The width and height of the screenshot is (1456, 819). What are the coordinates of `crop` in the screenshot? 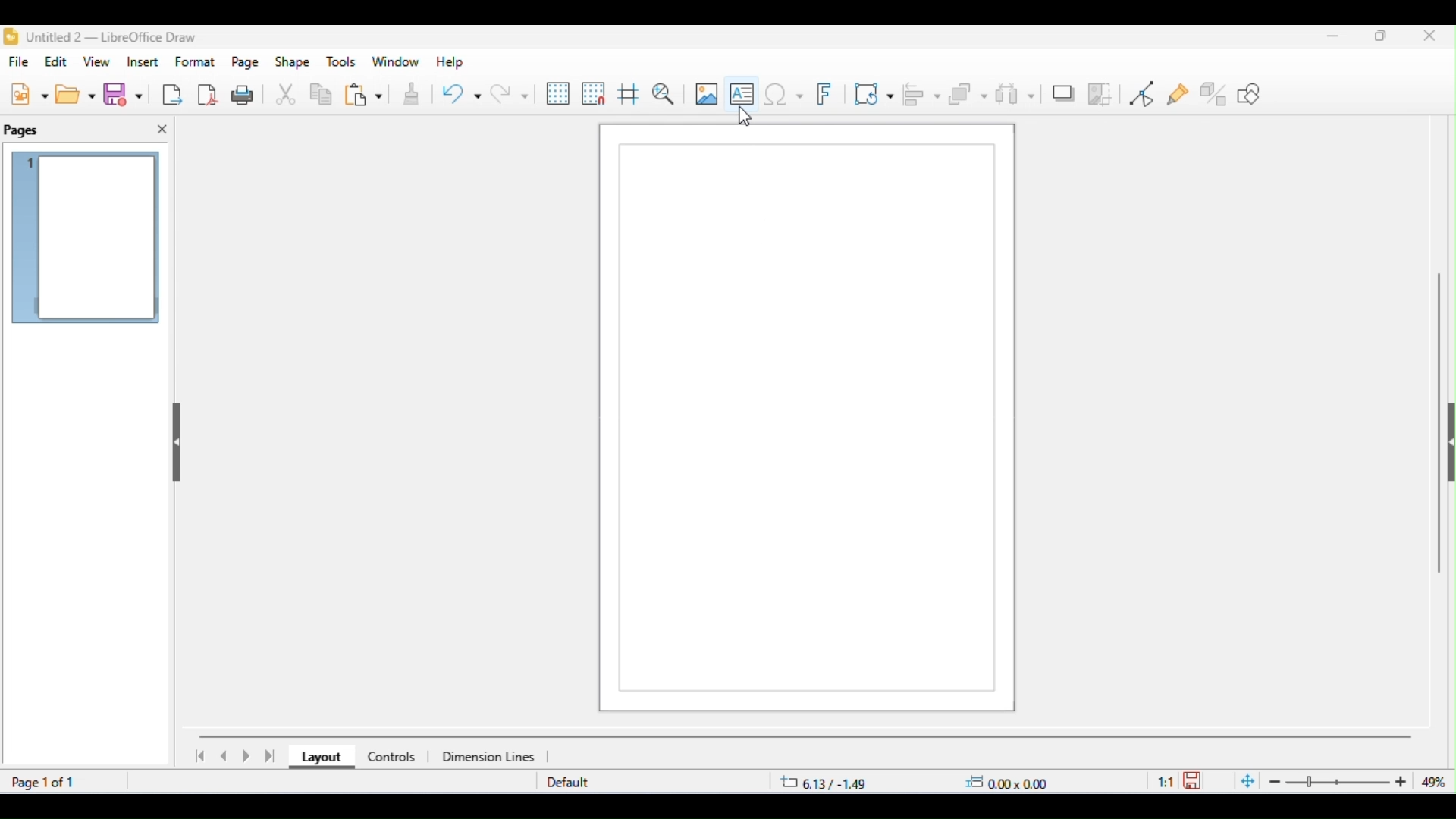 It's located at (1100, 93).